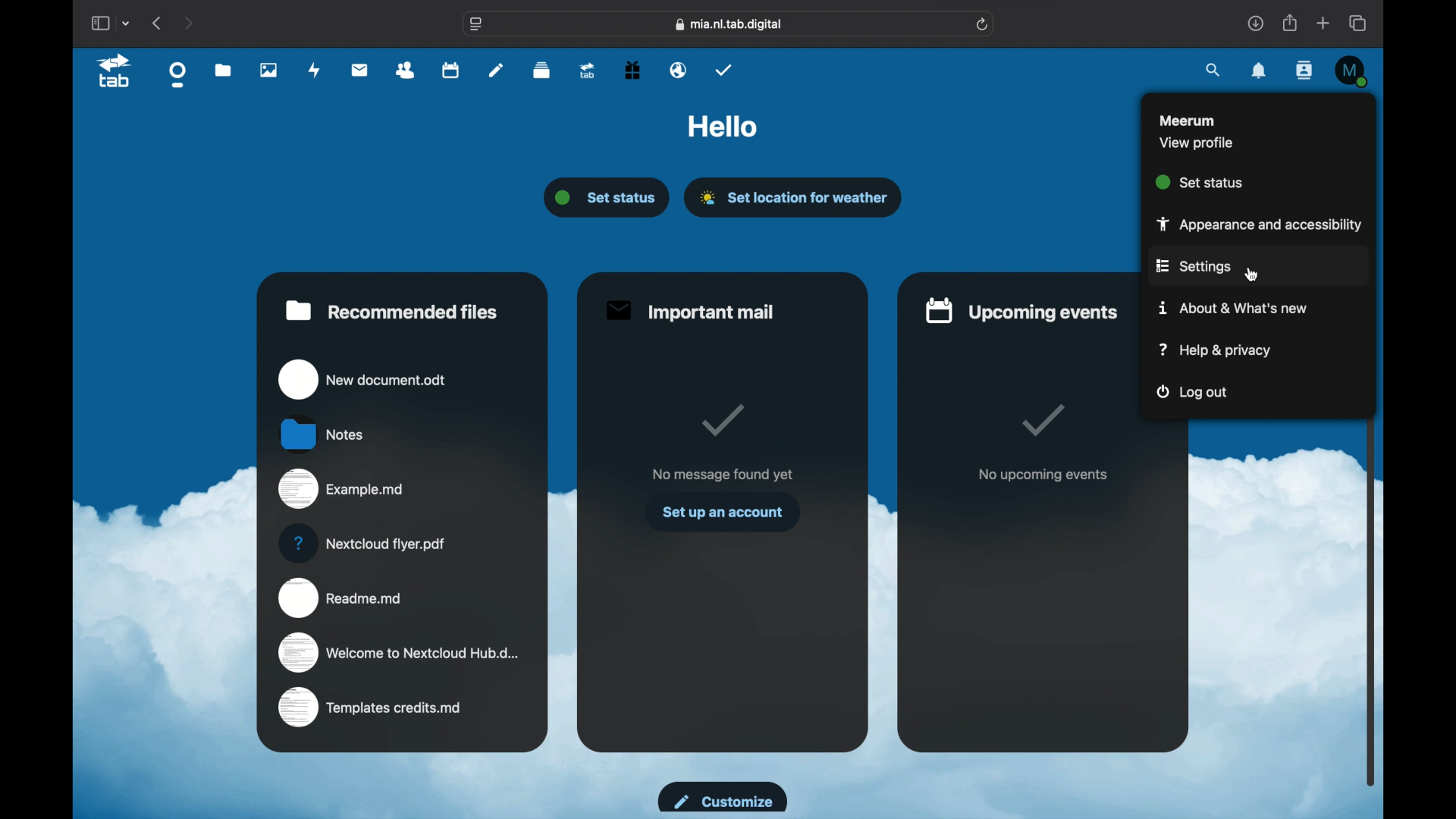 This screenshot has height=819, width=1456. Describe the element at coordinates (1191, 393) in the screenshot. I see `log out` at that location.